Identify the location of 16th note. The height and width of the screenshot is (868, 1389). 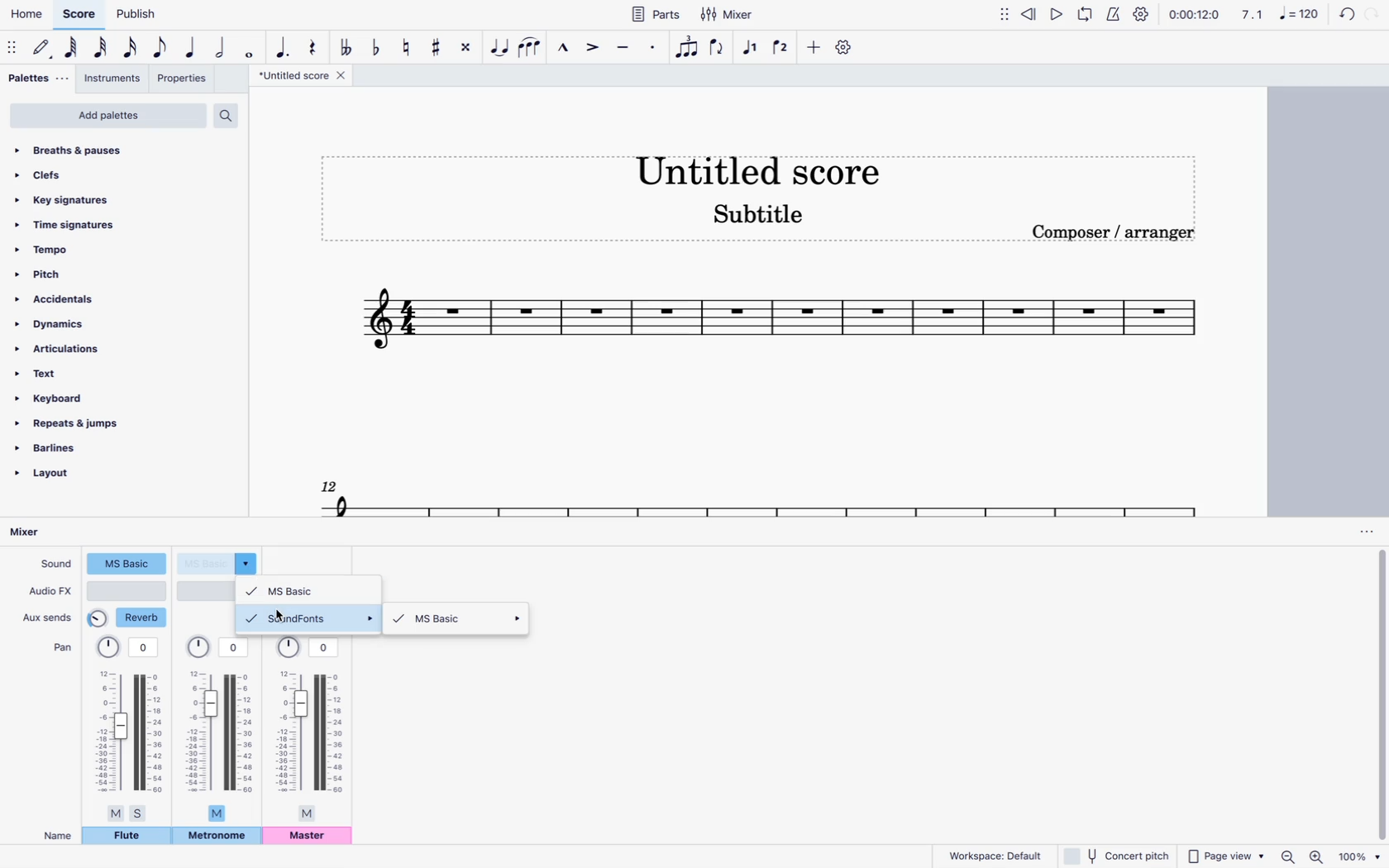
(131, 48).